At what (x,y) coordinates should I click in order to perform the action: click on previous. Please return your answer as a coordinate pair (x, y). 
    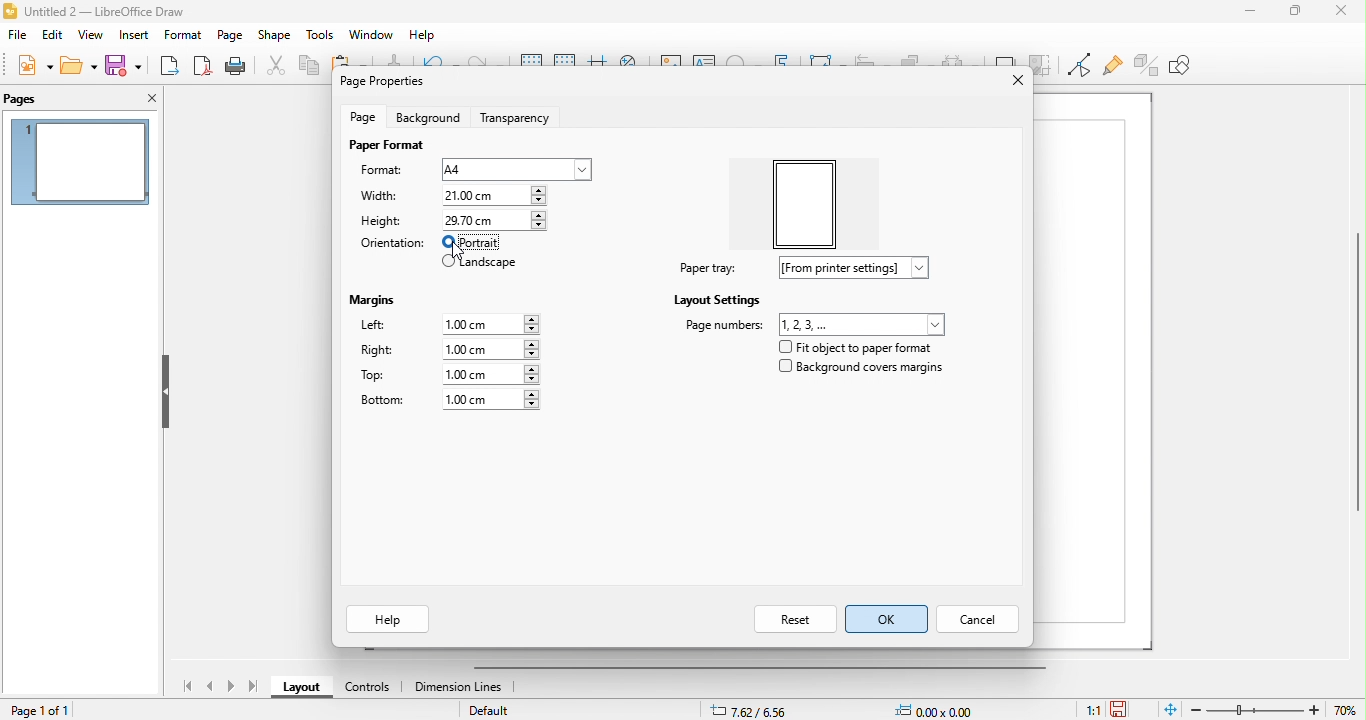
    Looking at the image, I should click on (212, 687).